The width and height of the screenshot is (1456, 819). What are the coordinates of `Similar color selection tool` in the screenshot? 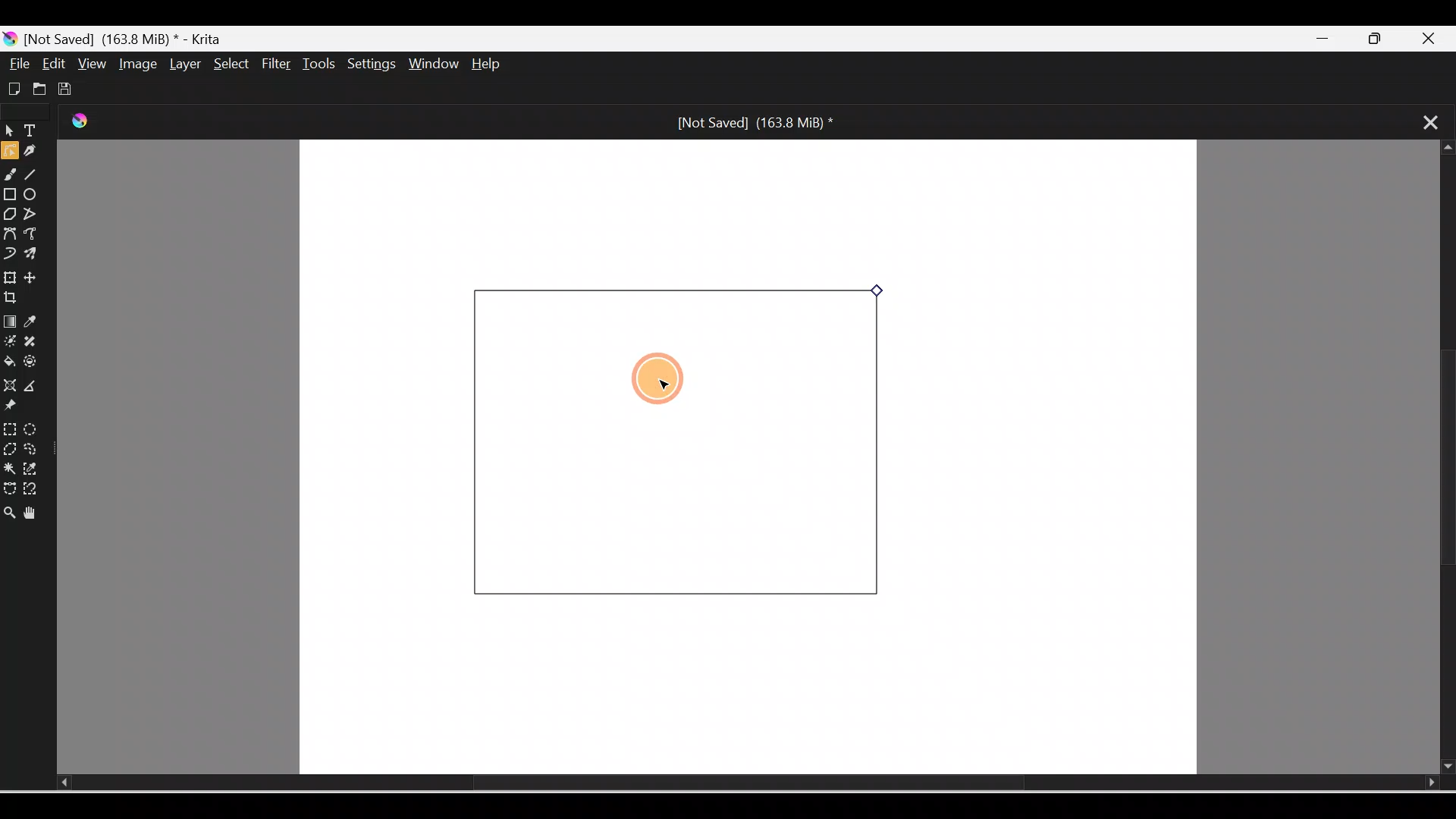 It's located at (33, 467).